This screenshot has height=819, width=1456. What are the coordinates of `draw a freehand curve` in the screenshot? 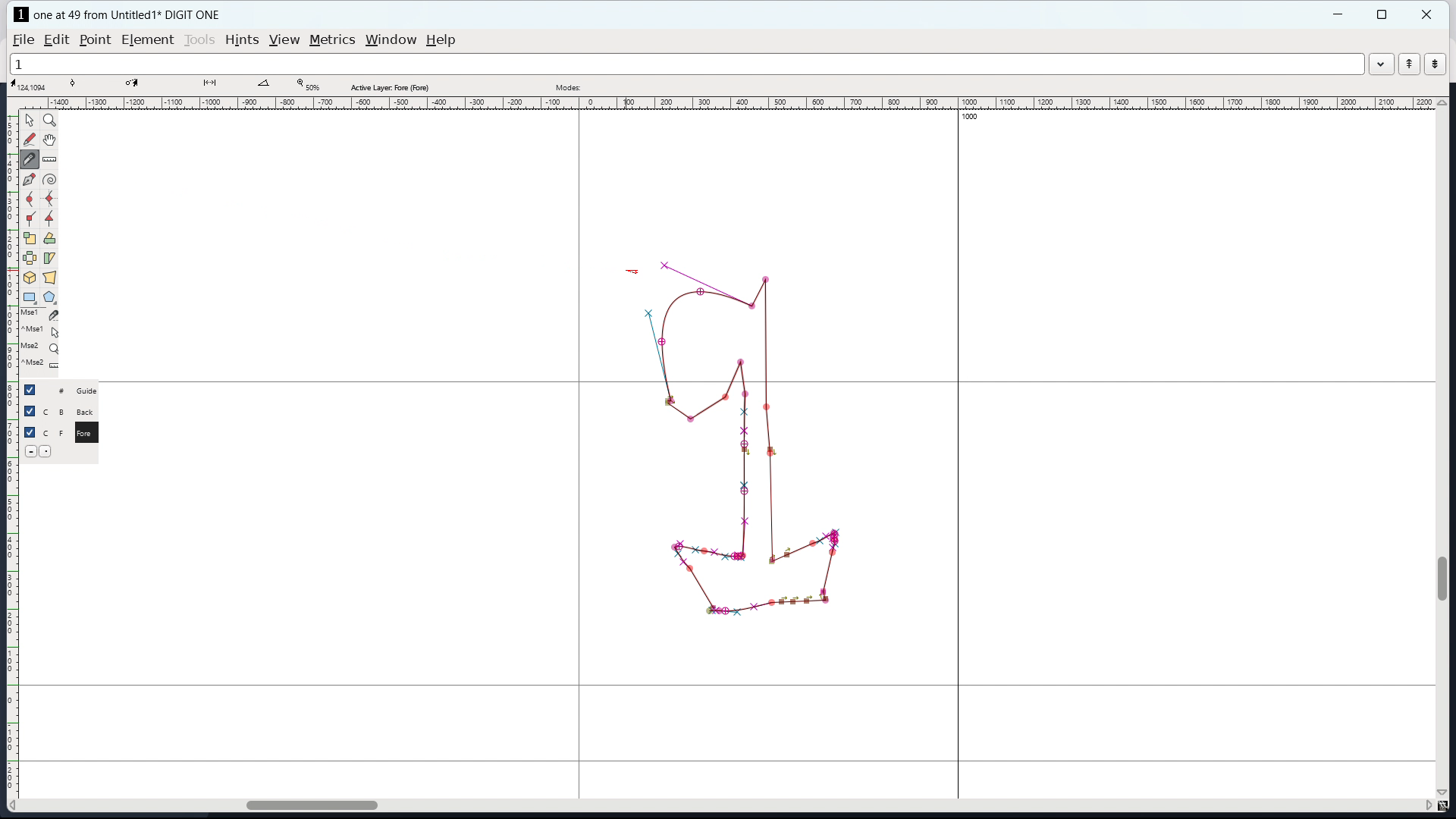 It's located at (30, 140).